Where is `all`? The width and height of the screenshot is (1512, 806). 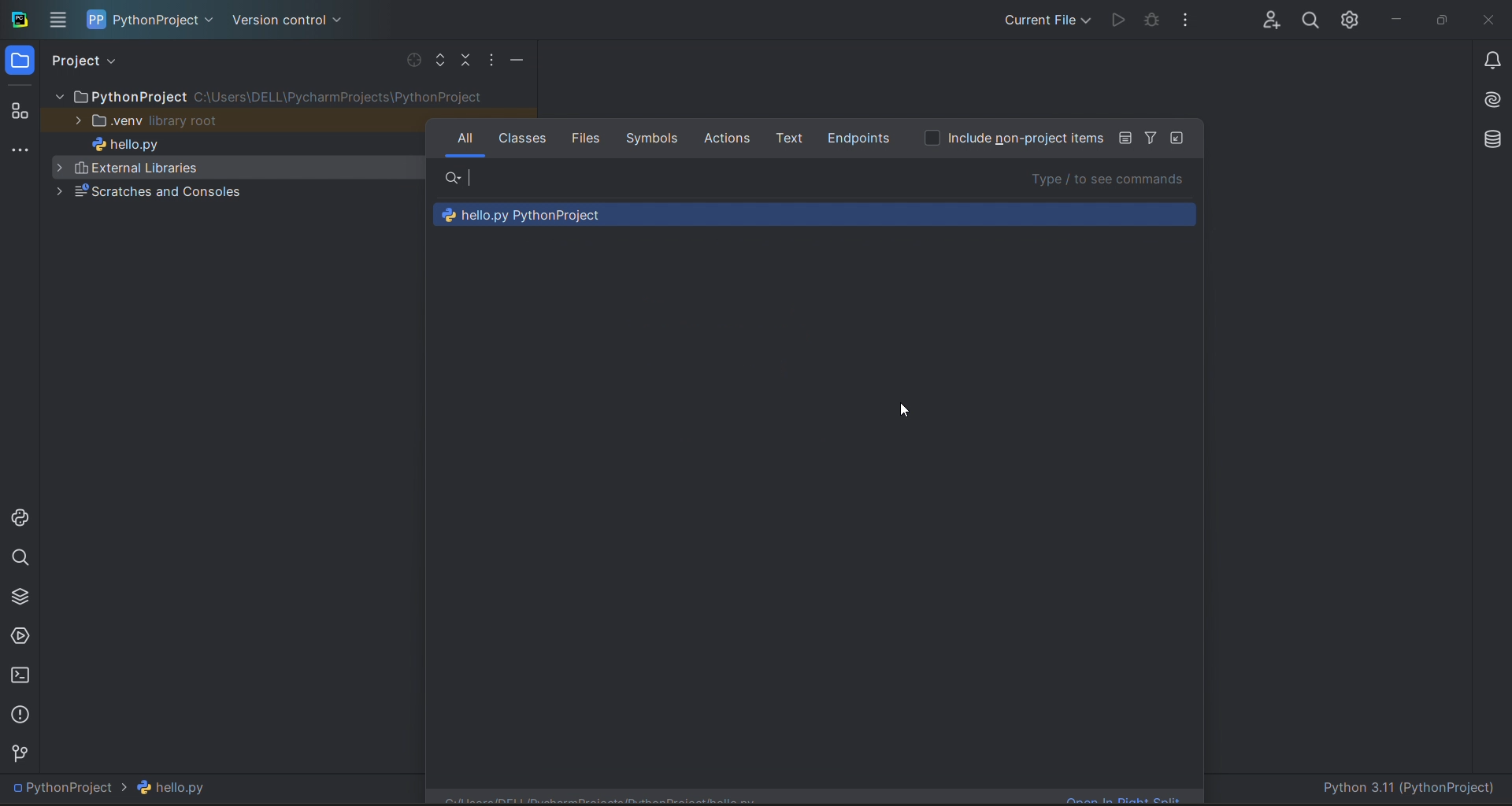
all is located at coordinates (463, 139).